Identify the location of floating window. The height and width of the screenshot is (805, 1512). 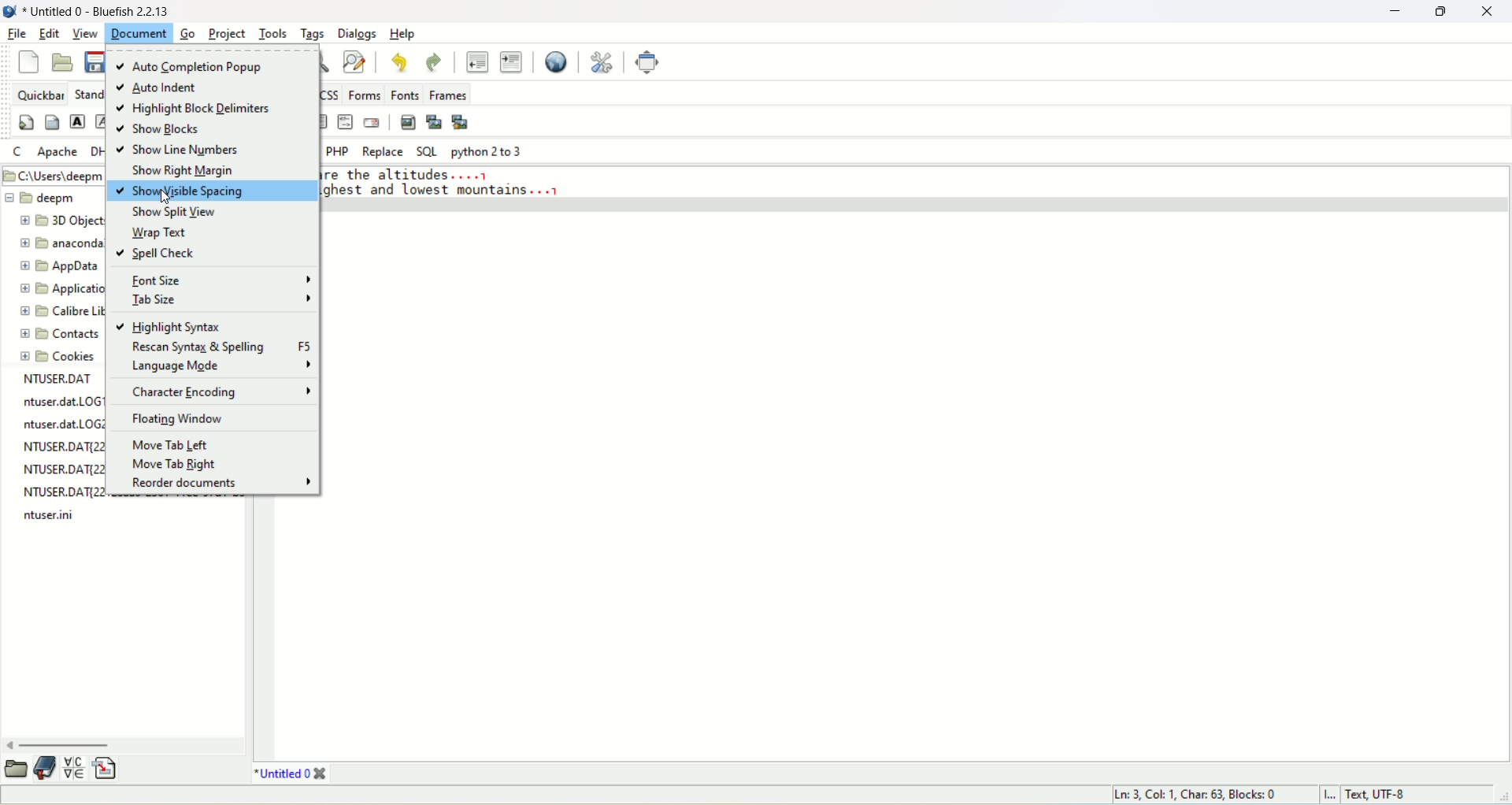
(181, 418).